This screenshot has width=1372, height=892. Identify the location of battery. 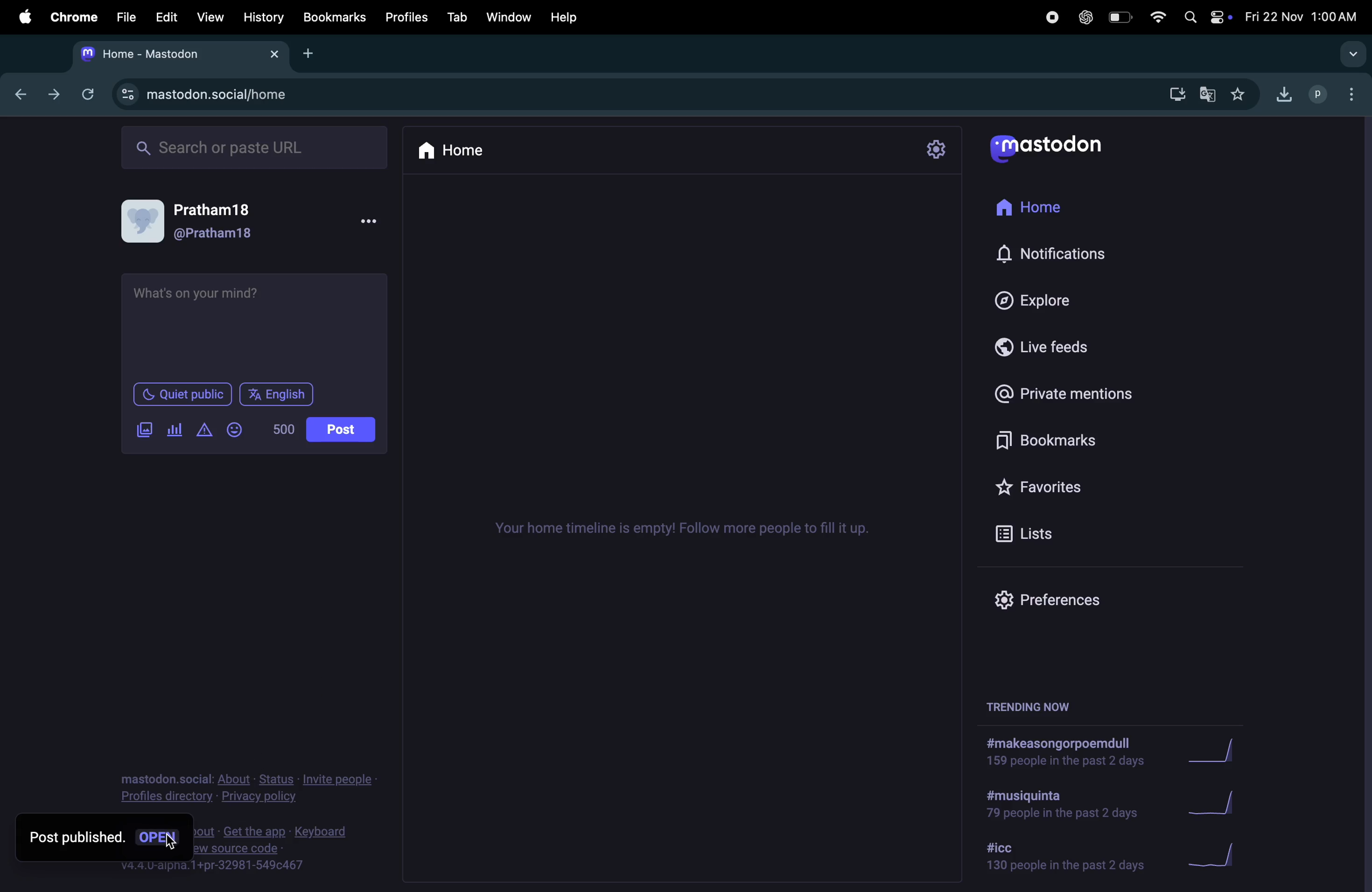
(1118, 17).